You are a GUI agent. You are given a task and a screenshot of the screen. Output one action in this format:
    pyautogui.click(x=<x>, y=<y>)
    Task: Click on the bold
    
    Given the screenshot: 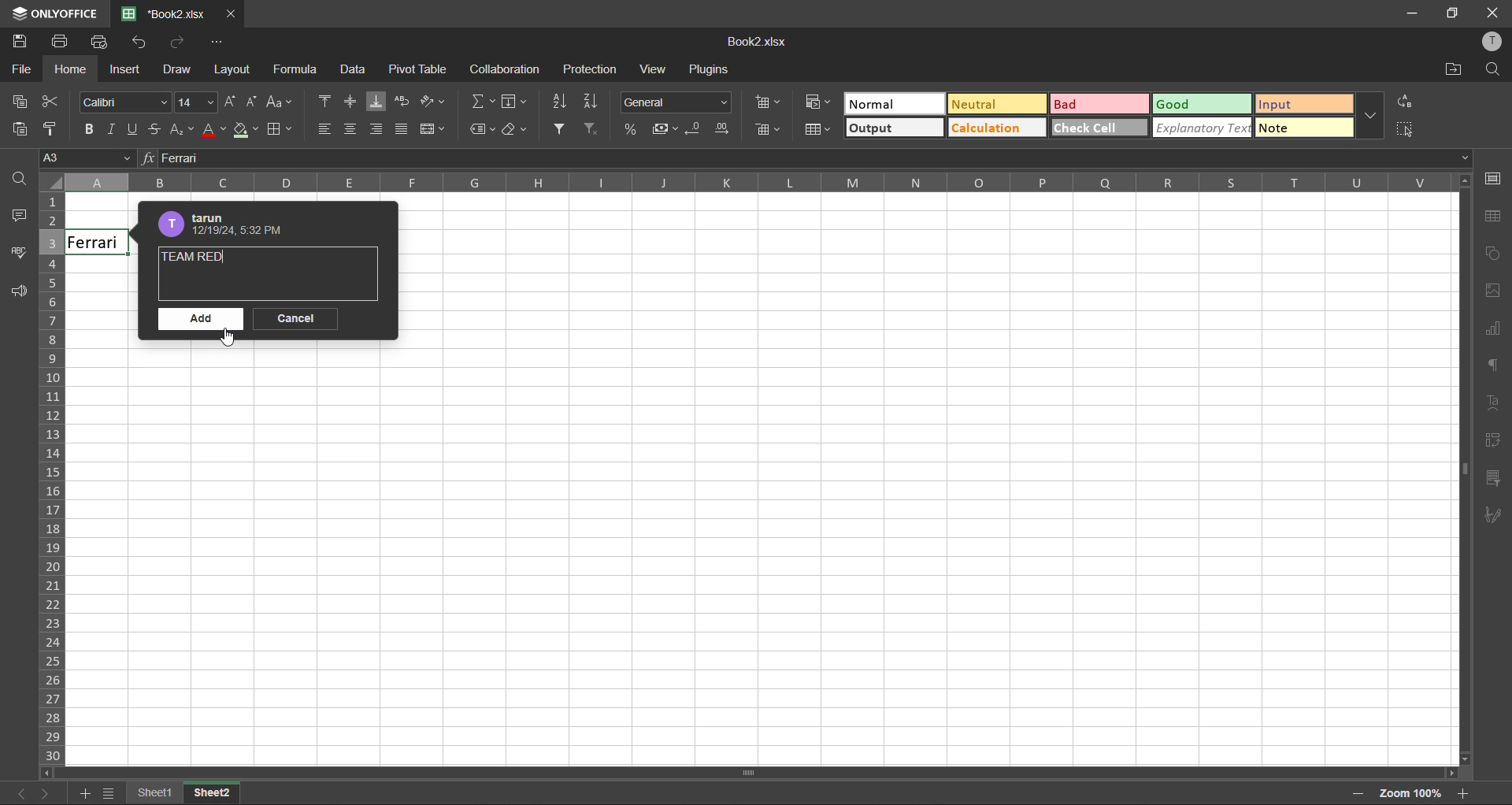 What is the action you would take?
    pyautogui.click(x=85, y=131)
    